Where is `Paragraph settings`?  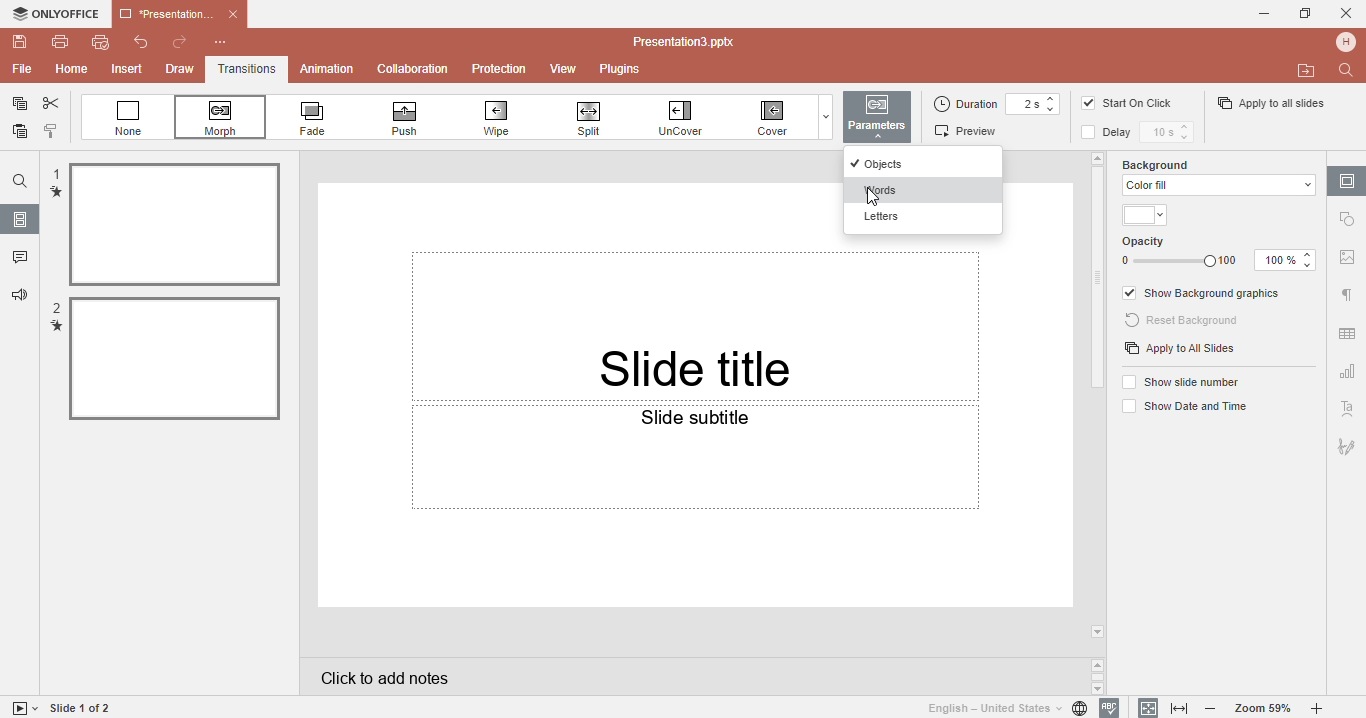
Paragraph settings is located at coordinates (1346, 295).